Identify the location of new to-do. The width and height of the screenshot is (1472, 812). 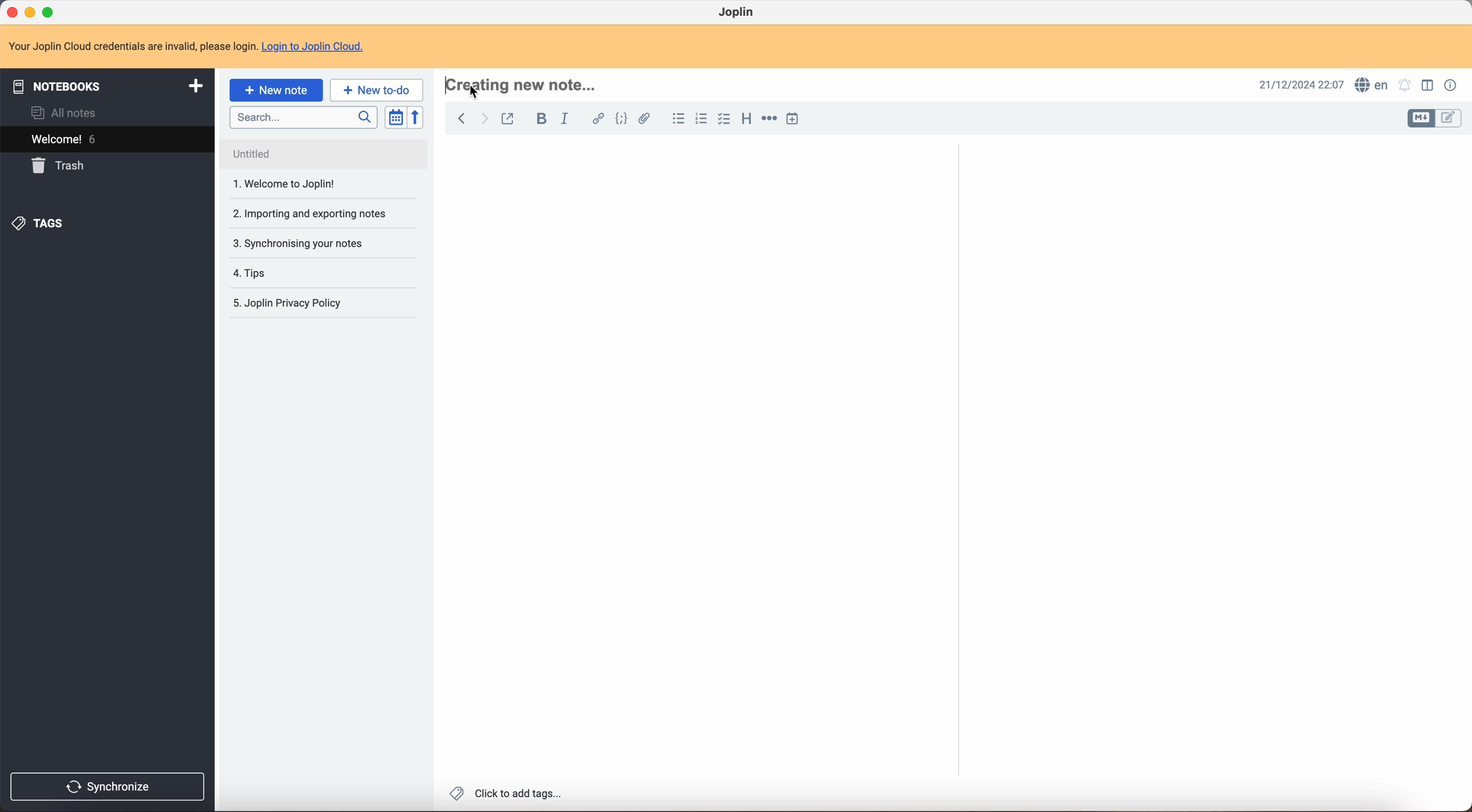
(376, 89).